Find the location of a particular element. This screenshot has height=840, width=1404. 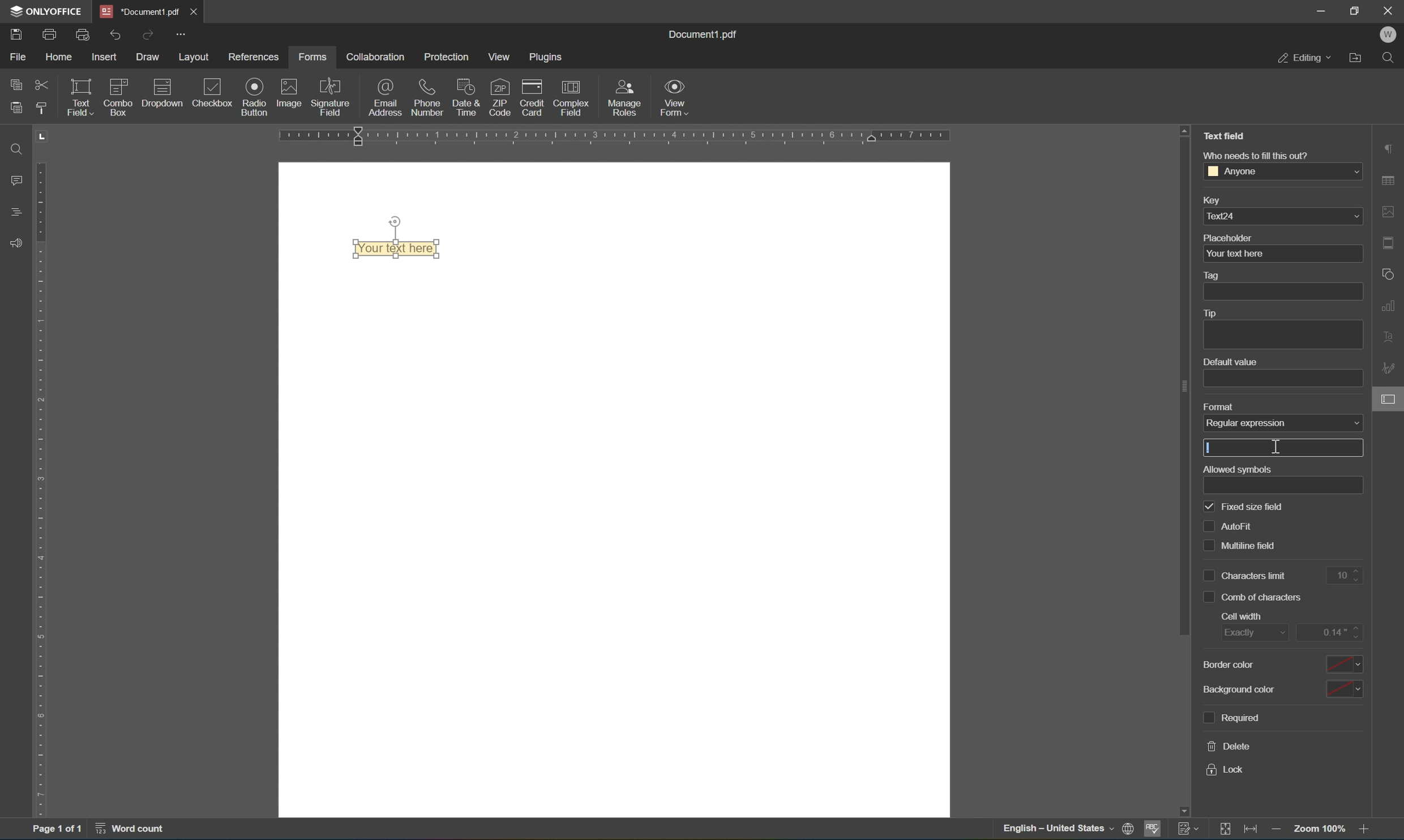

protection is located at coordinates (447, 57).